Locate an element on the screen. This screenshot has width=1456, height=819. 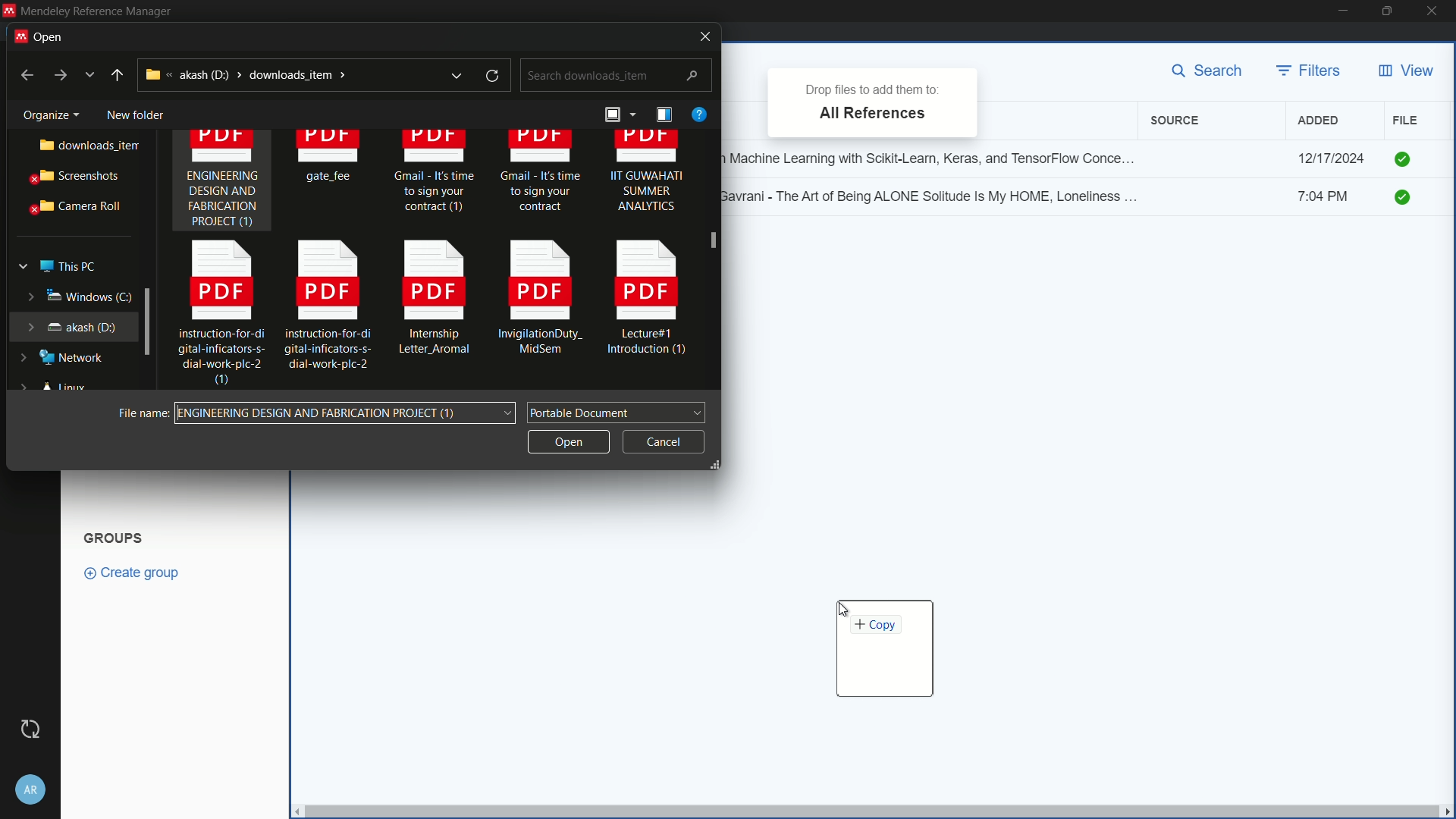
search is located at coordinates (1212, 72).